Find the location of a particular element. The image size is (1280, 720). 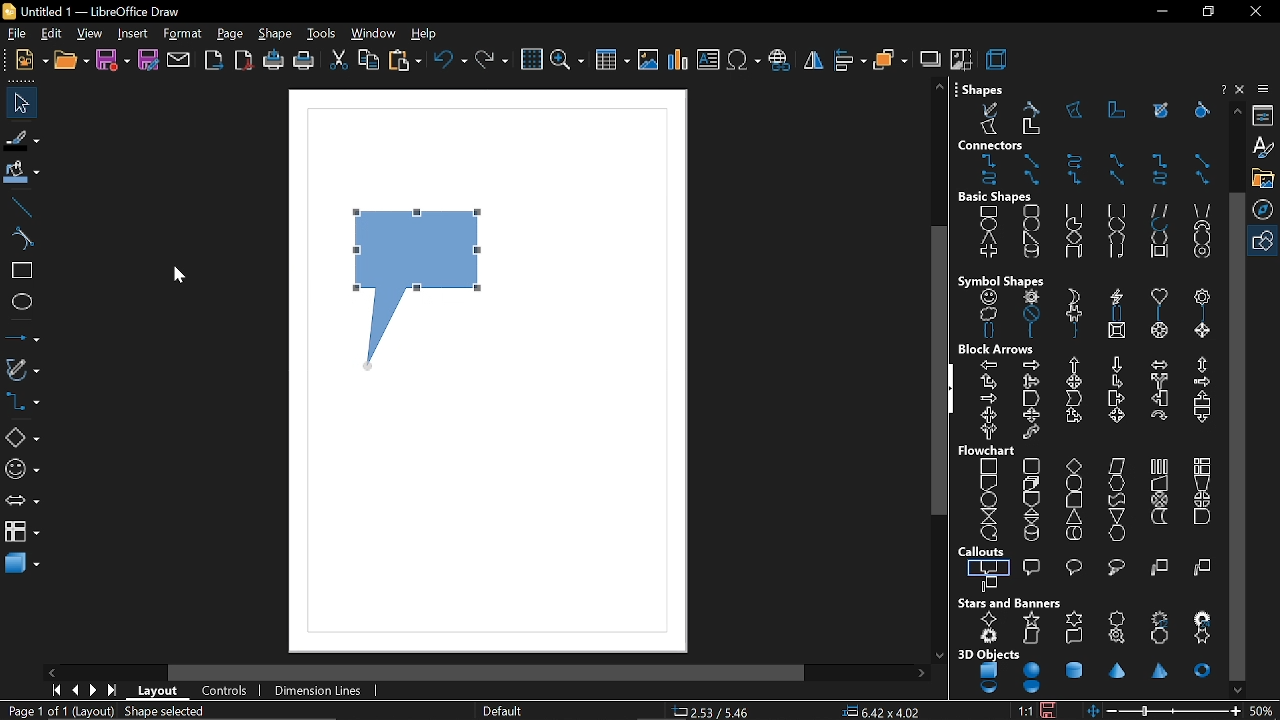

left arrow is located at coordinates (990, 364).